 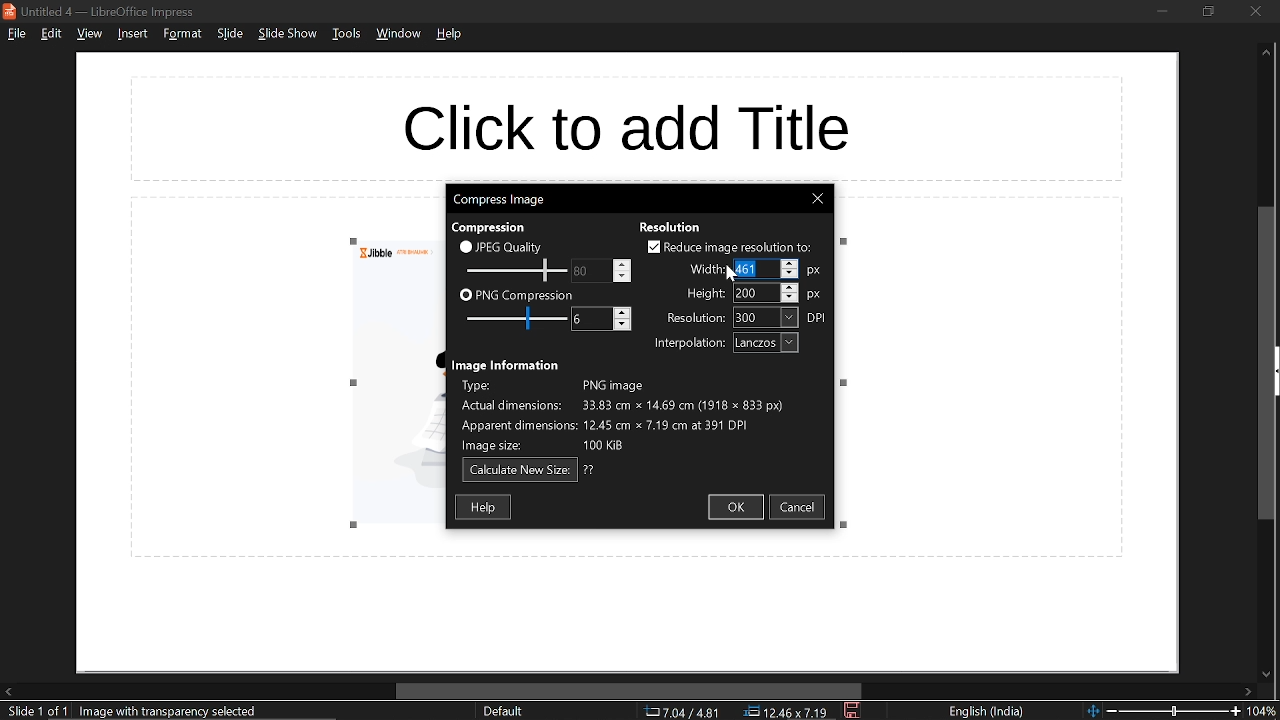 What do you see at coordinates (789, 712) in the screenshot?
I see `location` at bounding box center [789, 712].